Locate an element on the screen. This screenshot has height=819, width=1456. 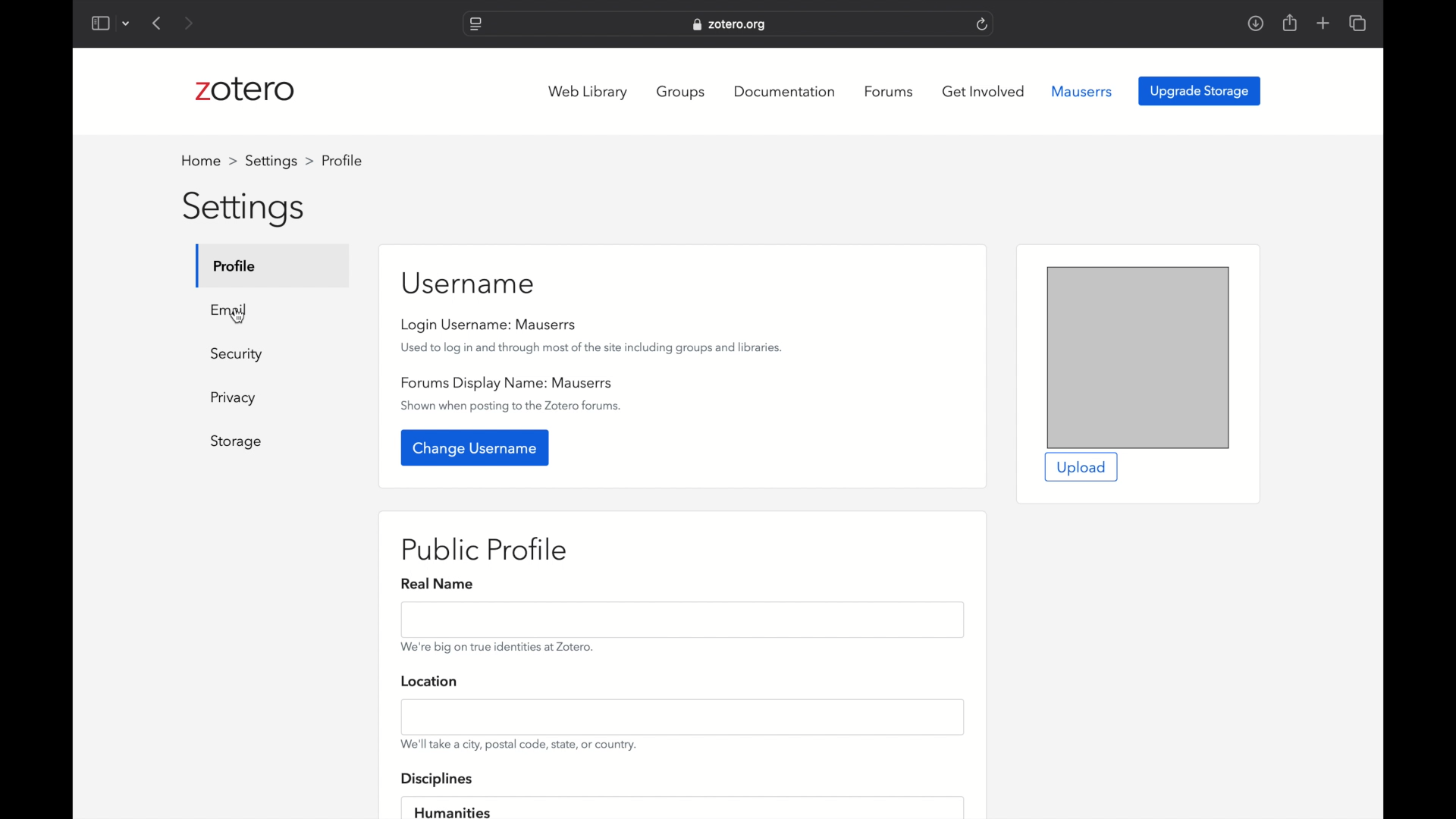
forums is located at coordinates (890, 92).